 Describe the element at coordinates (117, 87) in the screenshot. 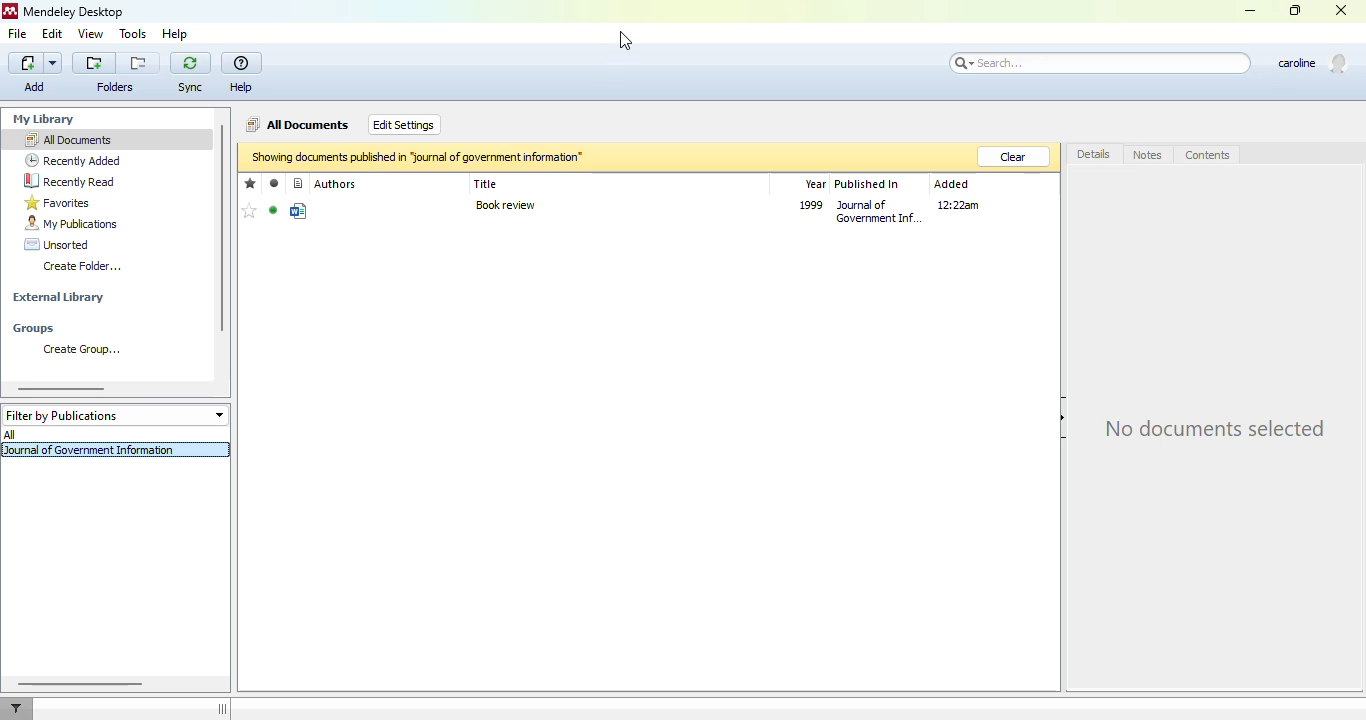

I see `folders` at that location.